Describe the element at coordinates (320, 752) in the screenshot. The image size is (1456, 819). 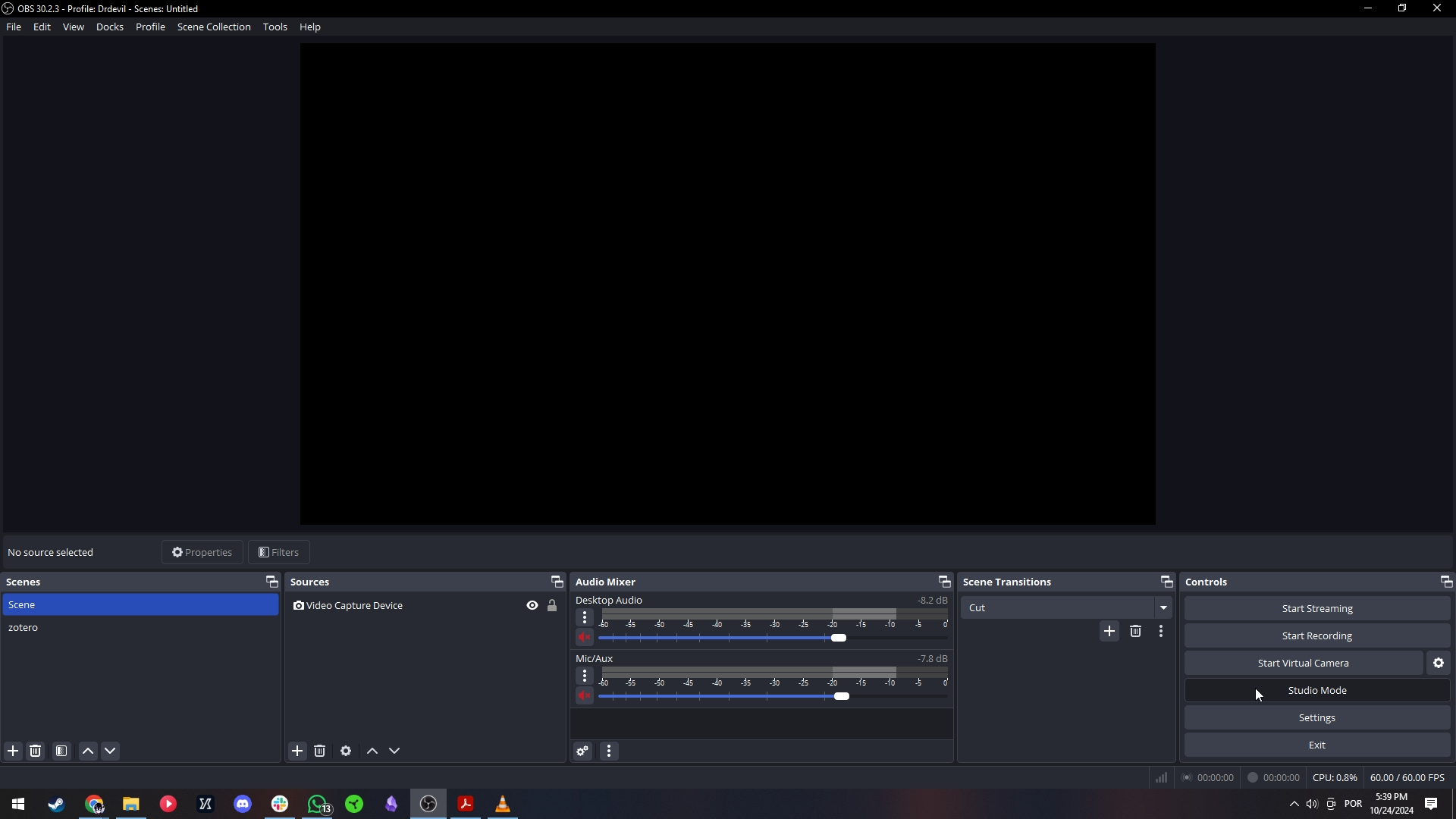
I see `Remove selected sources` at that location.